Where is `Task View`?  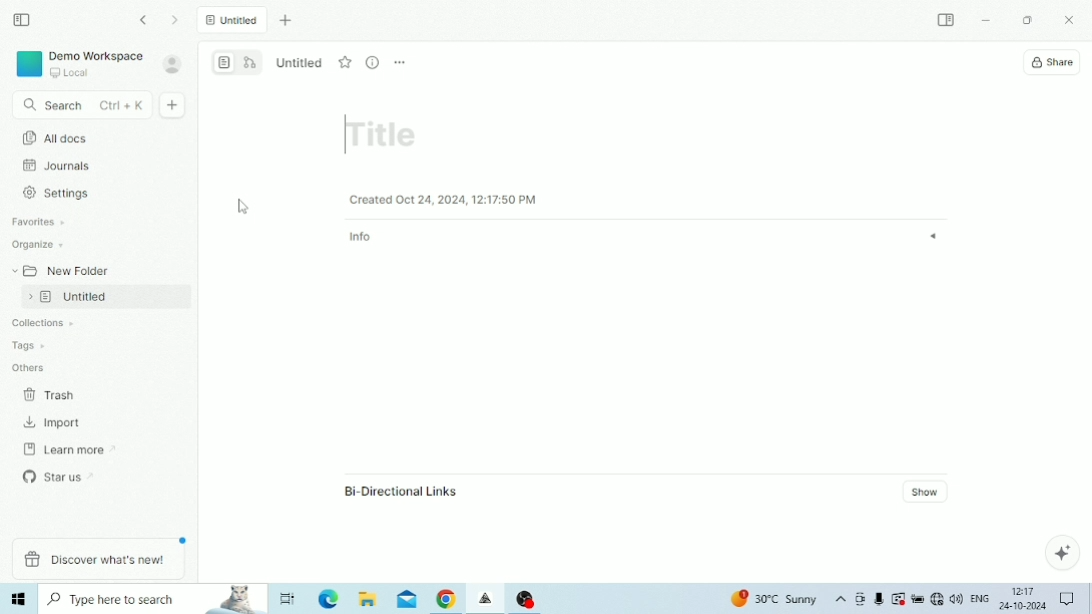
Task View is located at coordinates (289, 598).